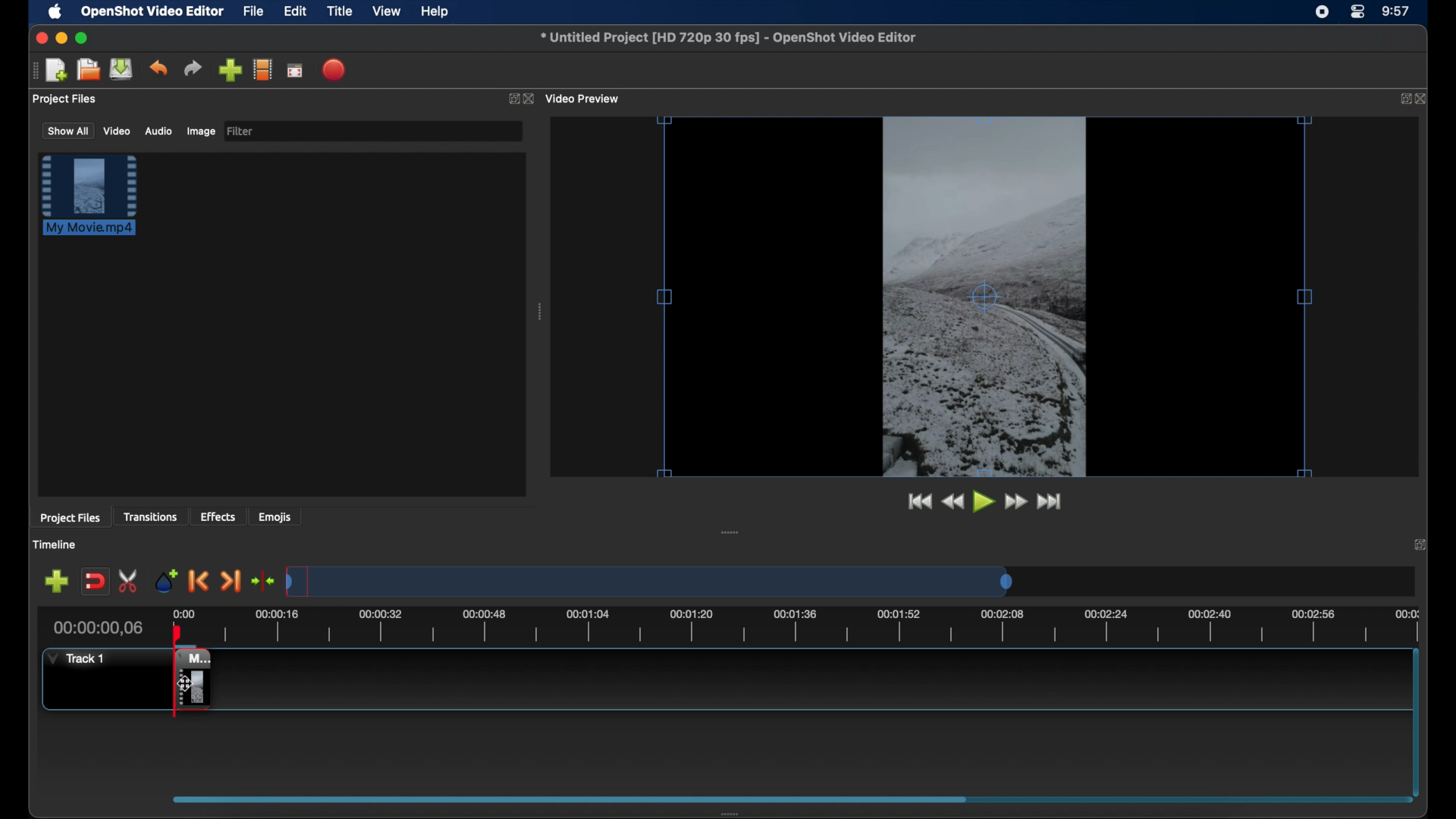 The width and height of the screenshot is (1456, 819). What do you see at coordinates (1423, 544) in the screenshot?
I see `expand` at bounding box center [1423, 544].